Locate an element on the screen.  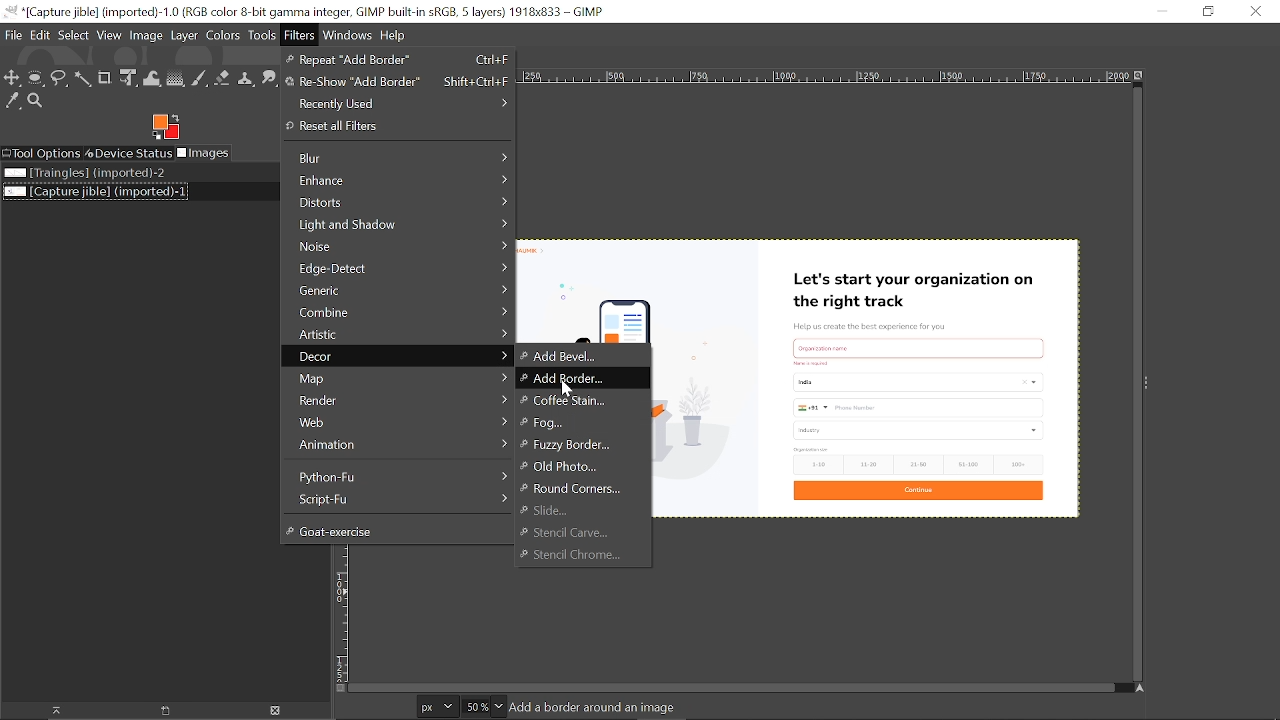
text is located at coordinates (813, 363).